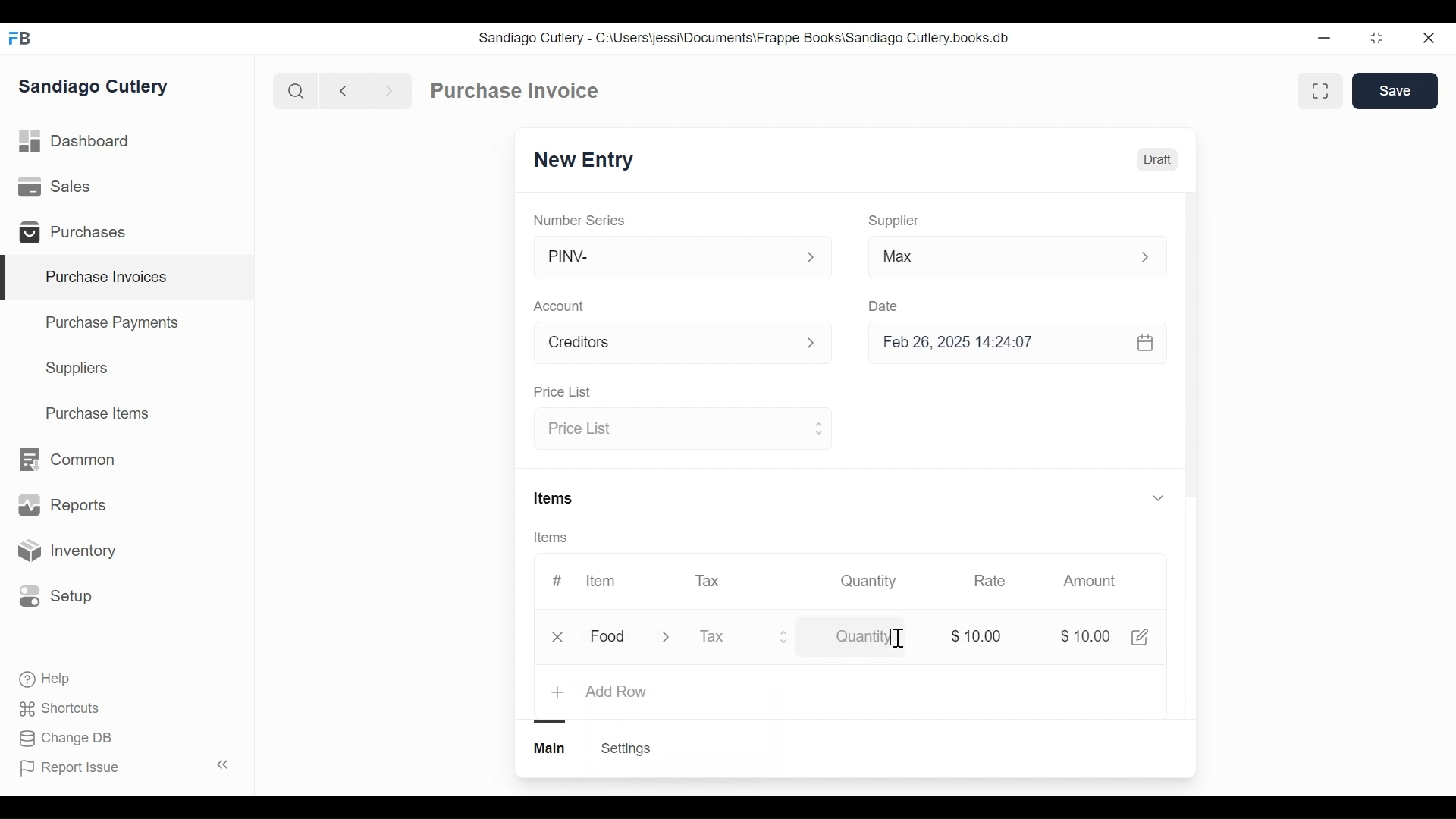 Image resolution: width=1456 pixels, height=819 pixels. What do you see at coordinates (894, 221) in the screenshot?
I see `Supplier` at bounding box center [894, 221].